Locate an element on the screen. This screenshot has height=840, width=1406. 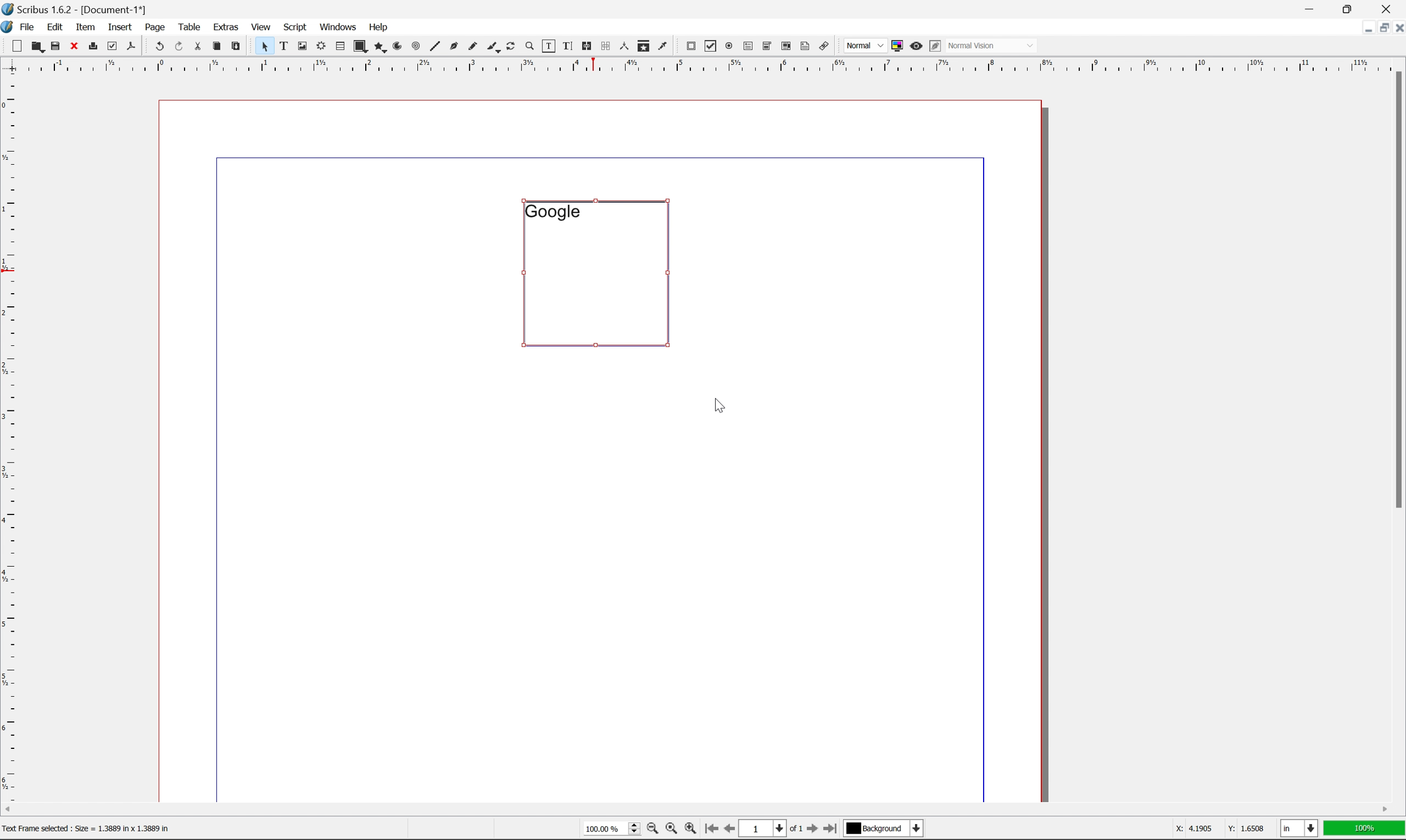
preflight verifier is located at coordinates (113, 45).